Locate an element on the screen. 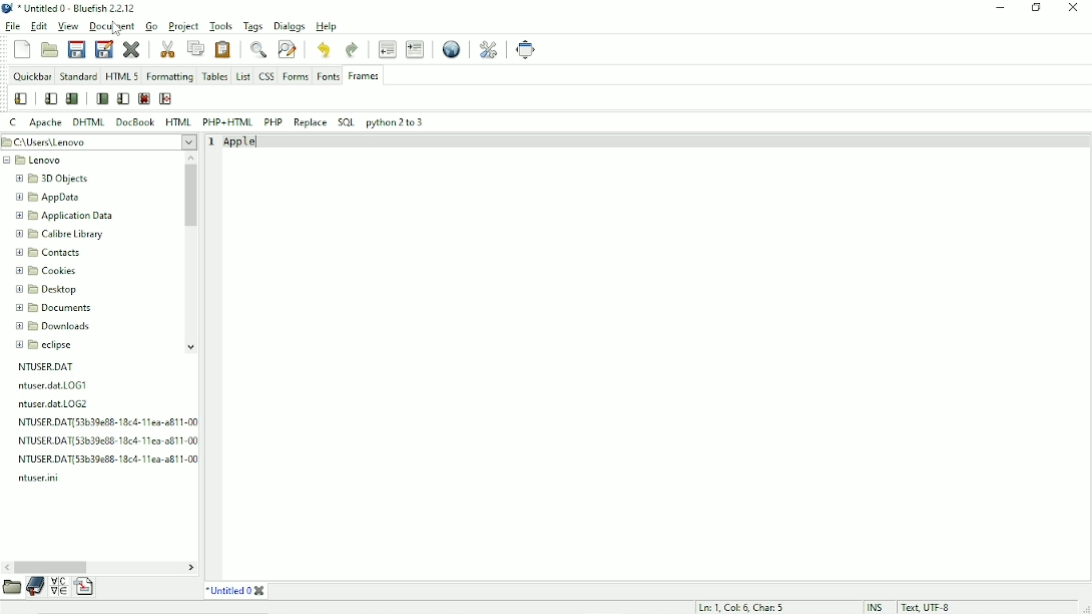 The height and width of the screenshot is (614, 1092). C is located at coordinates (14, 122).